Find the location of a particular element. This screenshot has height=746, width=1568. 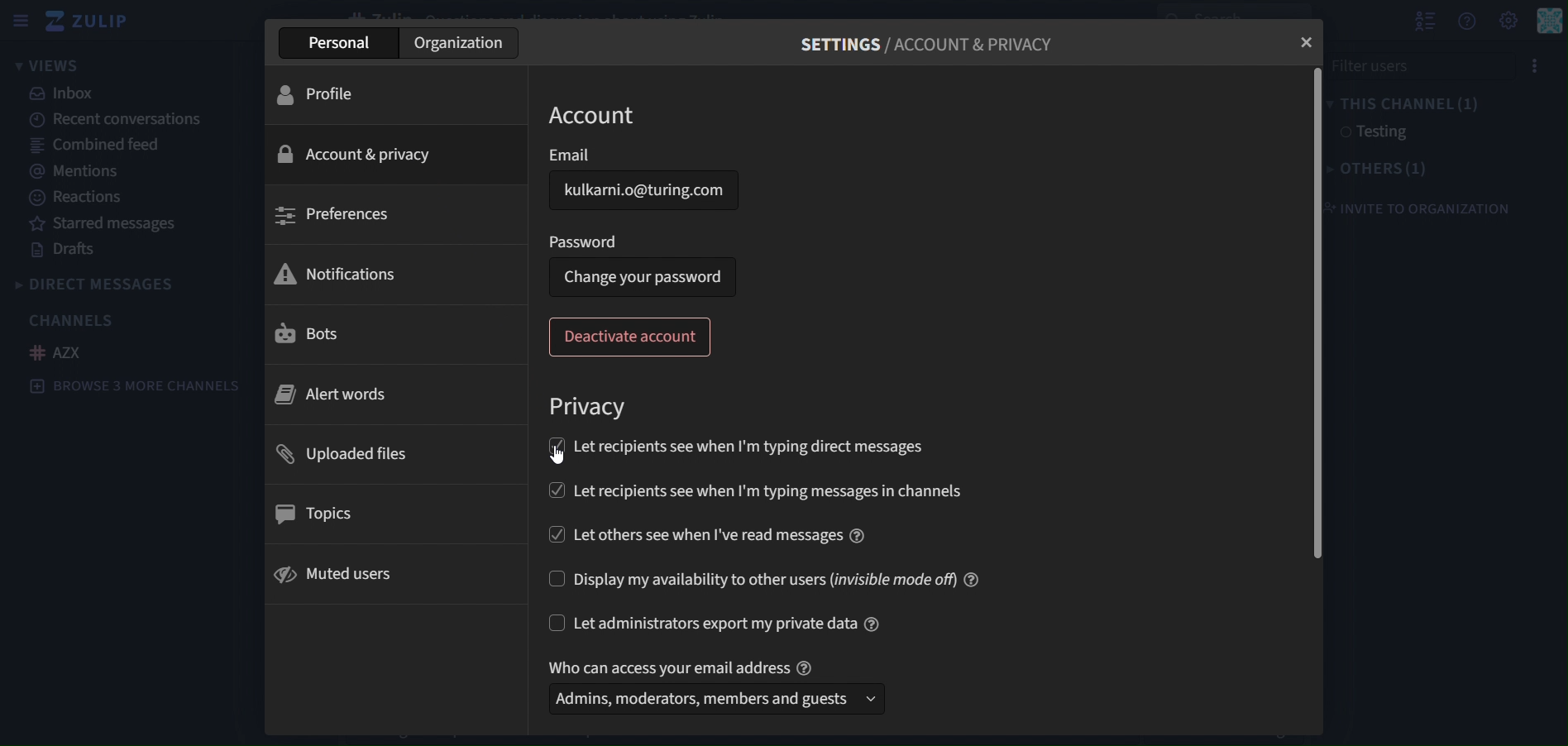

organization is located at coordinates (461, 43).